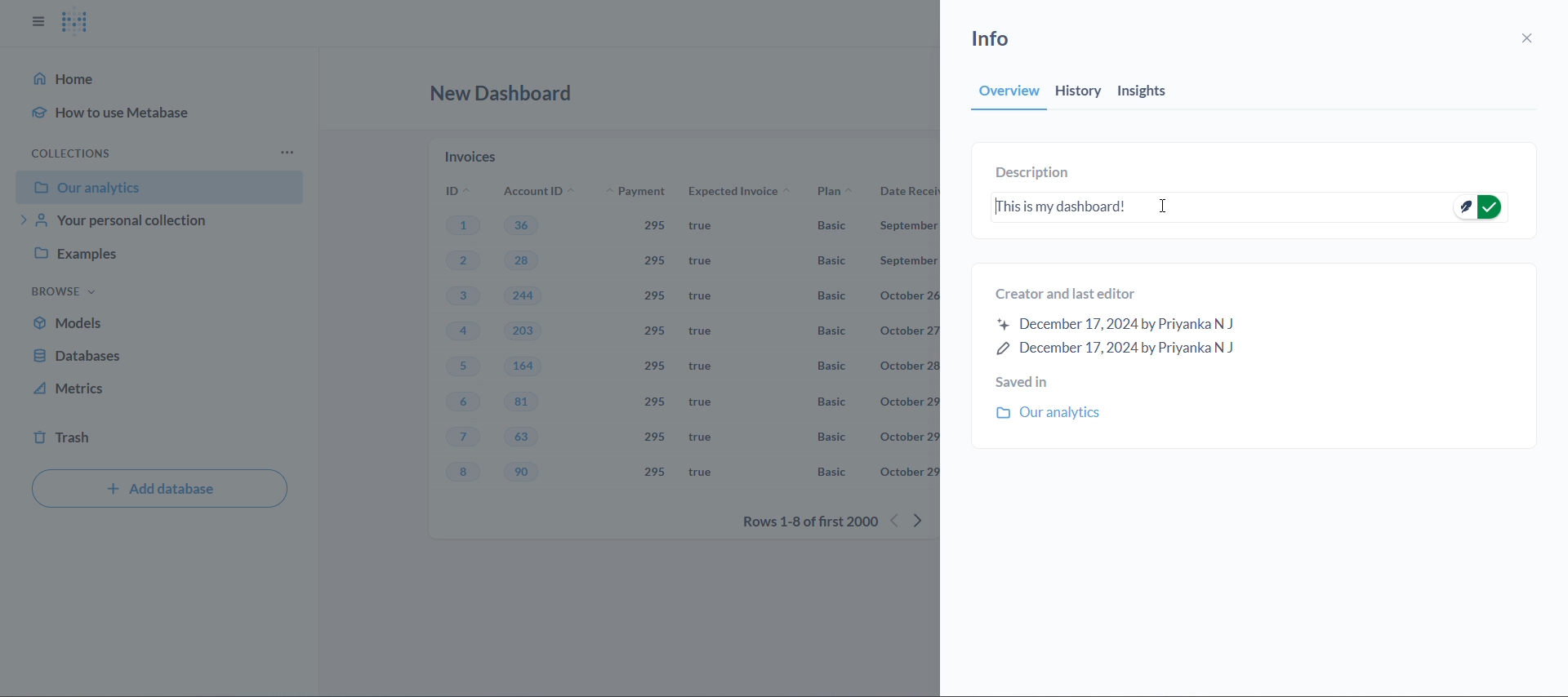 The height and width of the screenshot is (697, 1568). Describe the element at coordinates (530, 264) in the screenshot. I see `28` at that location.